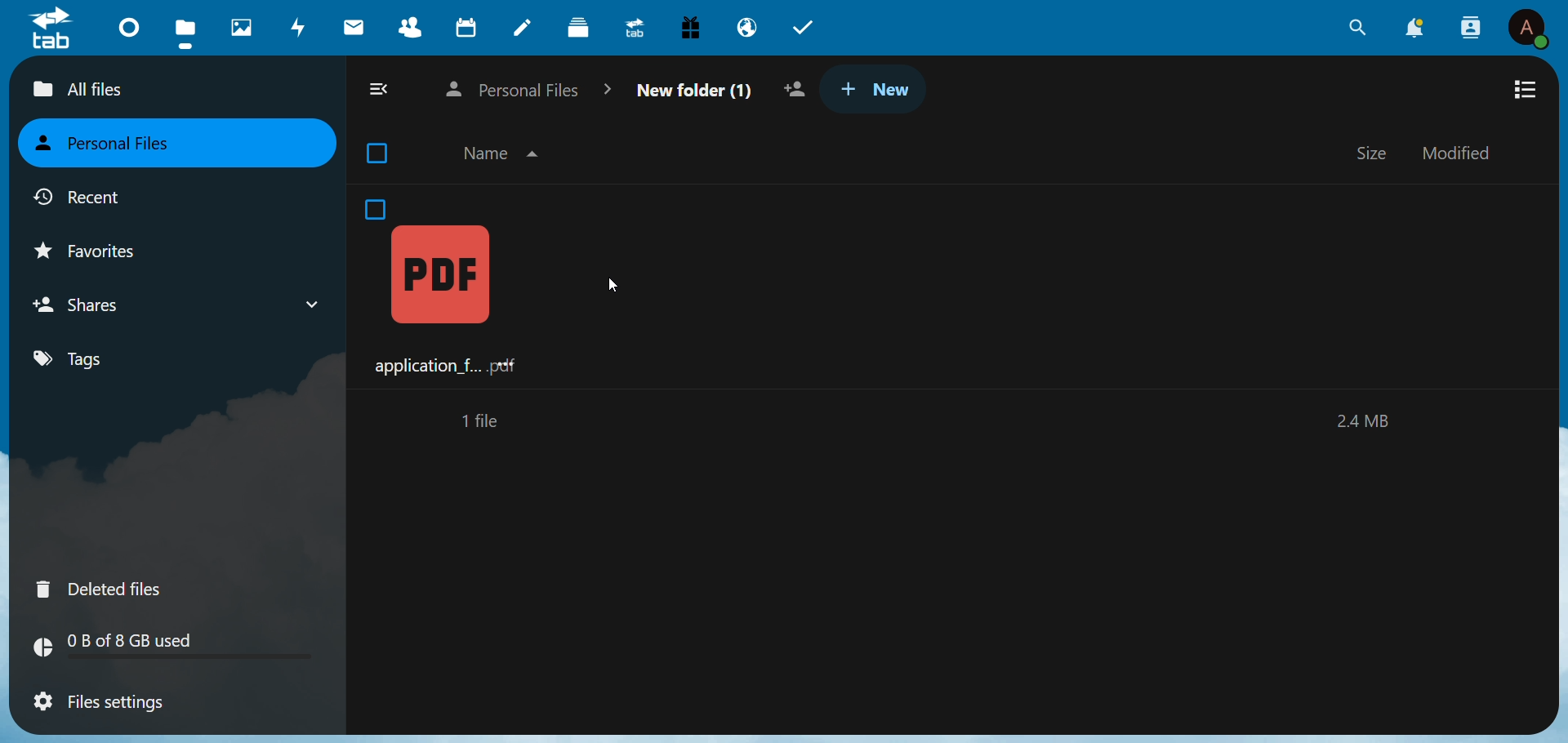  What do you see at coordinates (525, 29) in the screenshot?
I see `edit` at bounding box center [525, 29].